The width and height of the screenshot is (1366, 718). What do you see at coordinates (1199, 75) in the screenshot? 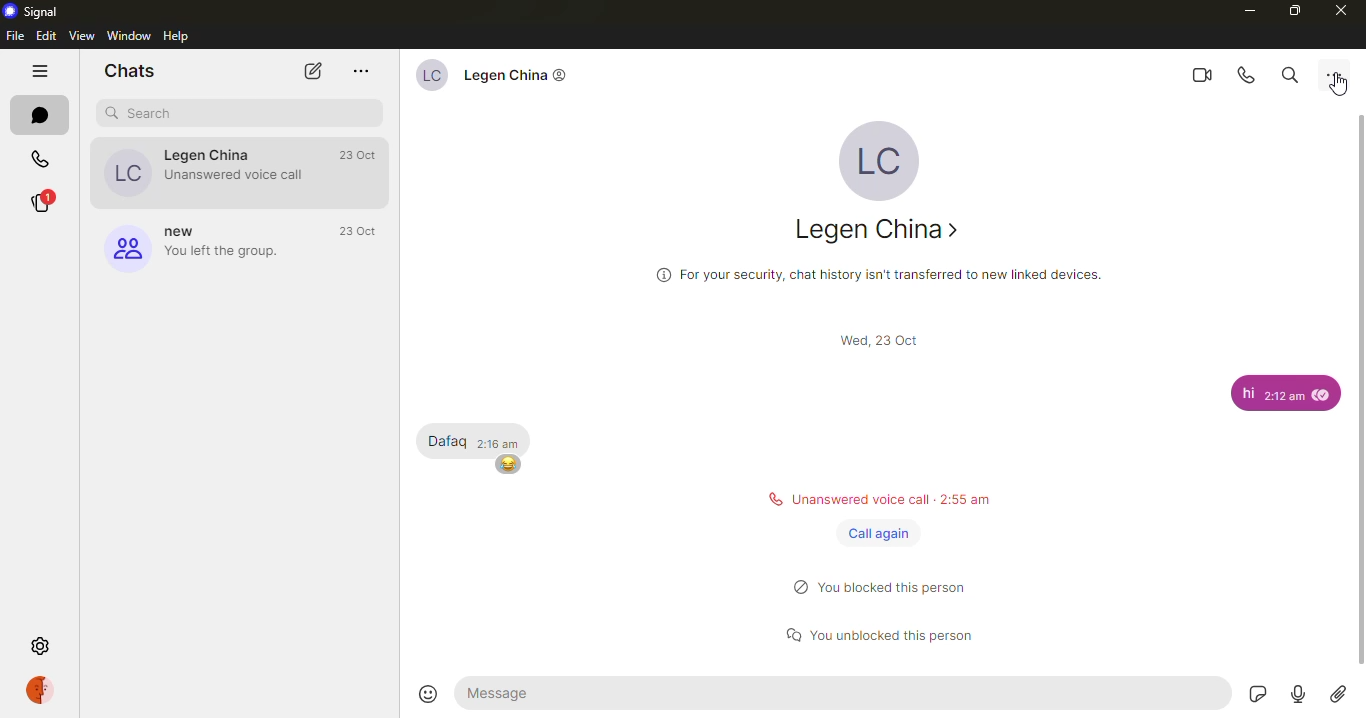
I see `video call` at bounding box center [1199, 75].